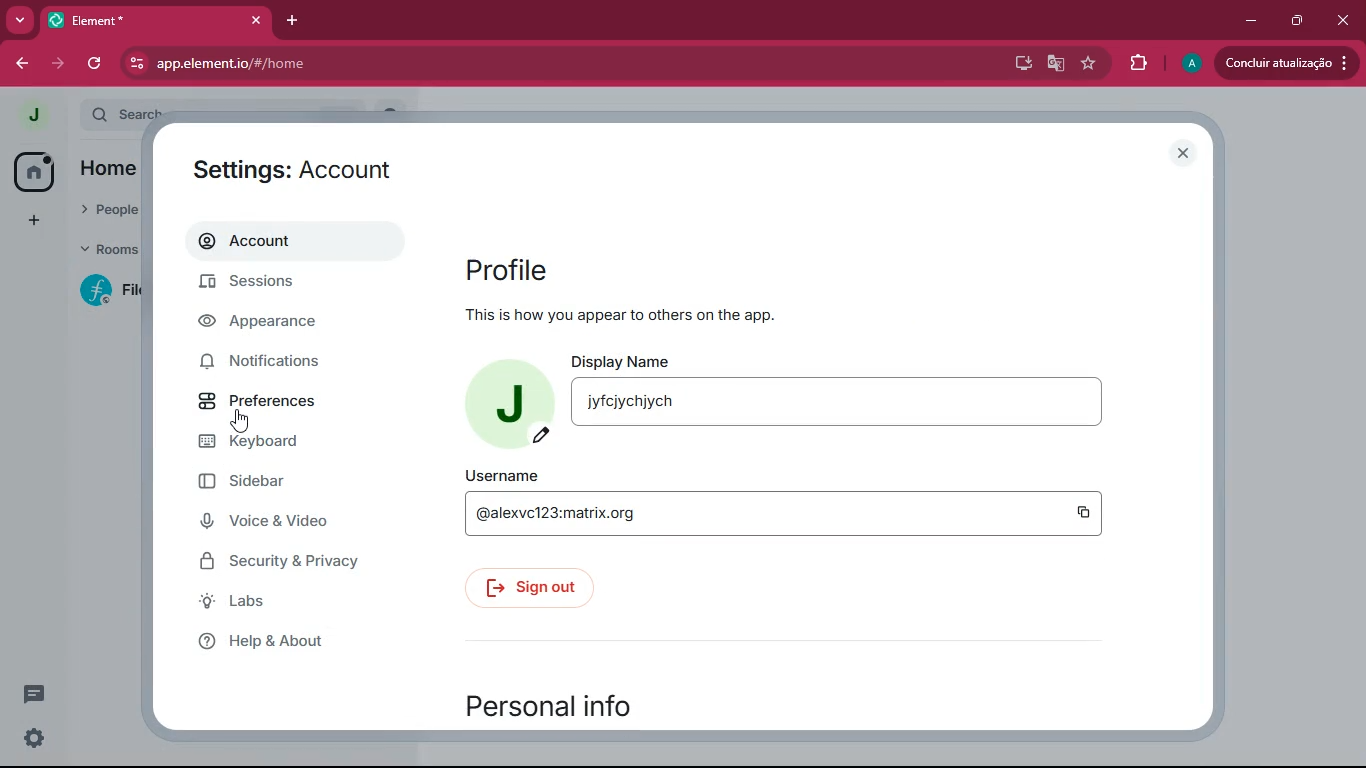 The width and height of the screenshot is (1366, 768). I want to click on refresh, so click(94, 65).